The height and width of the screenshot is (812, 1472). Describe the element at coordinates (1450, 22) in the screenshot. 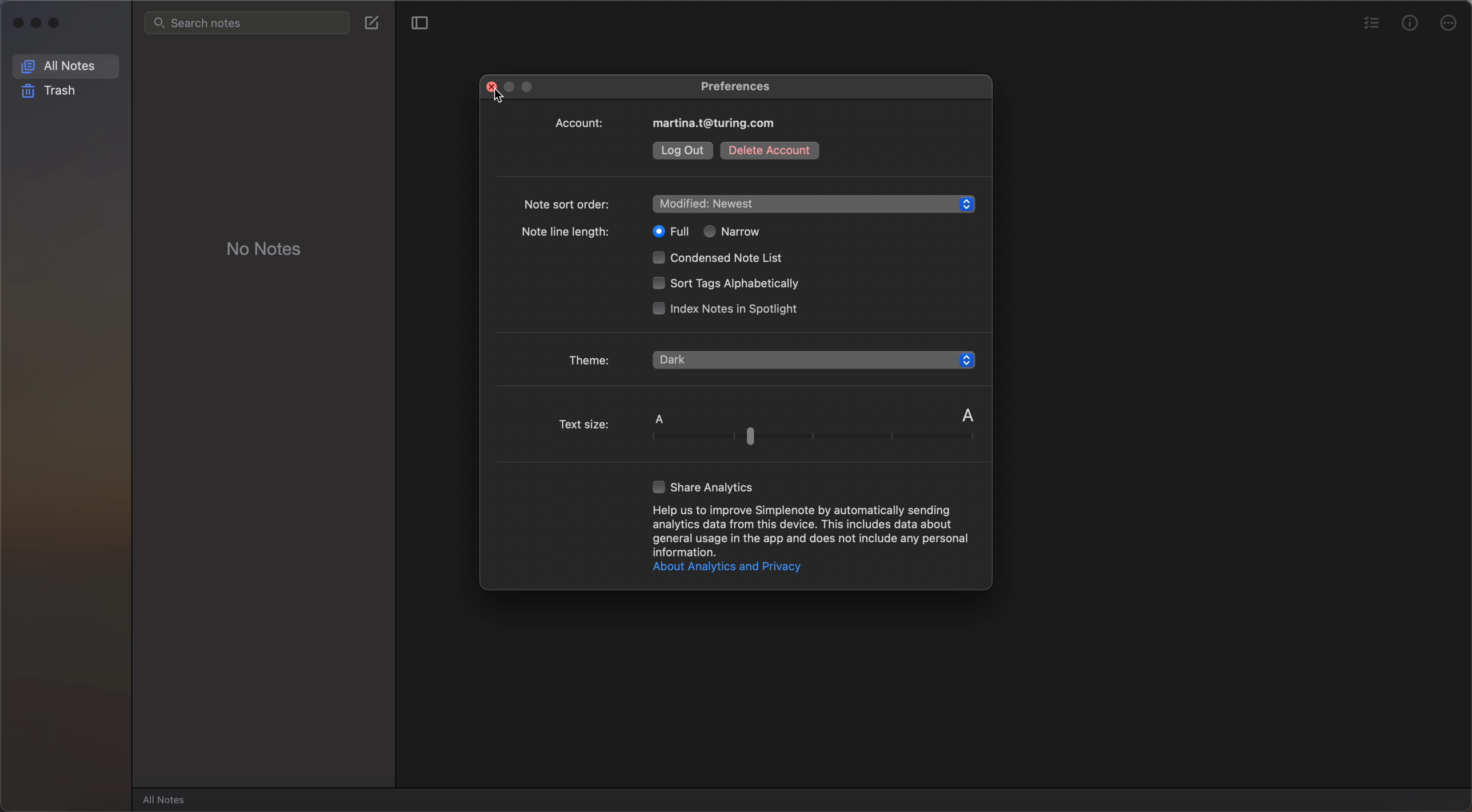

I see `more options` at that location.